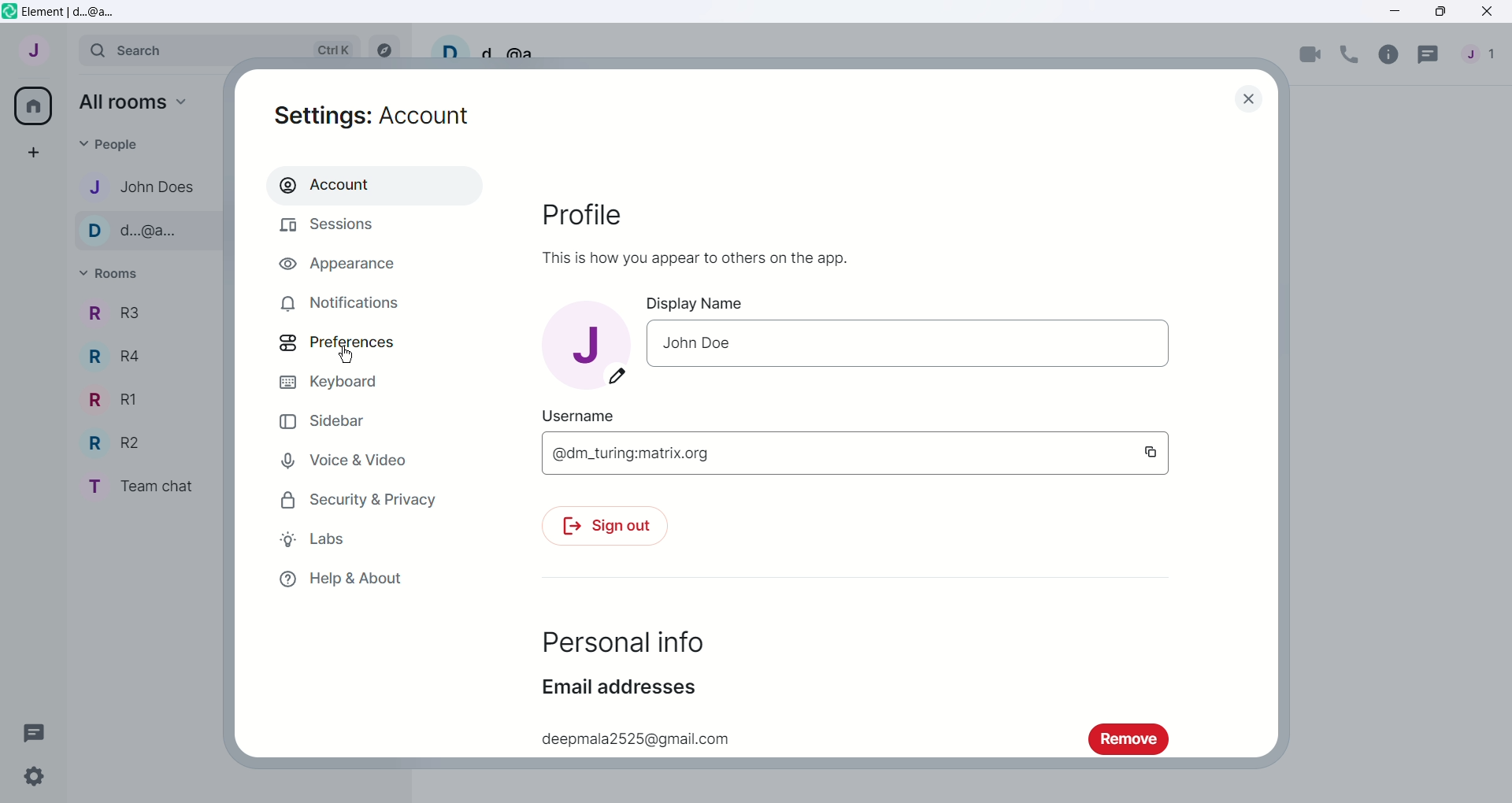 Image resolution: width=1512 pixels, height=803 pixels. What do you see at coordinates (72, 13) in the screenshot?
I see `Element | d...@a...` at bounding box center [72, 13].